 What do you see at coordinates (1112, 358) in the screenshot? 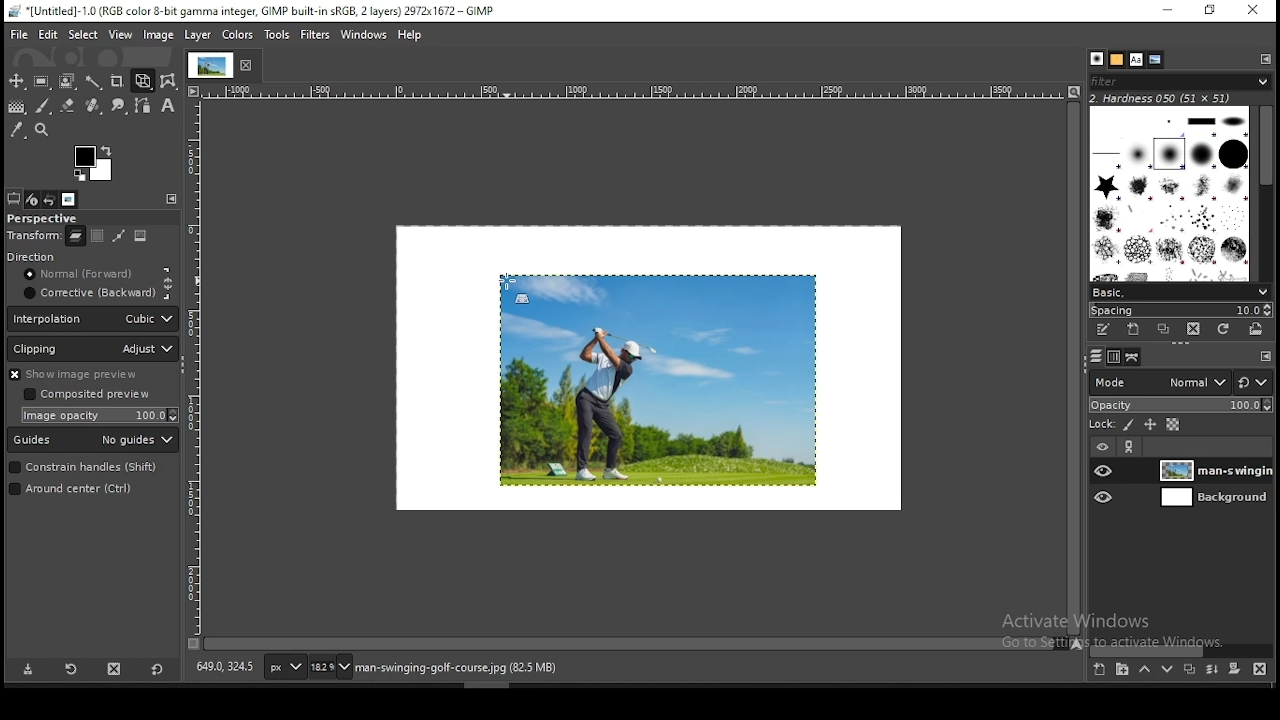
I see `channels` at bounding box center [1112, 358].